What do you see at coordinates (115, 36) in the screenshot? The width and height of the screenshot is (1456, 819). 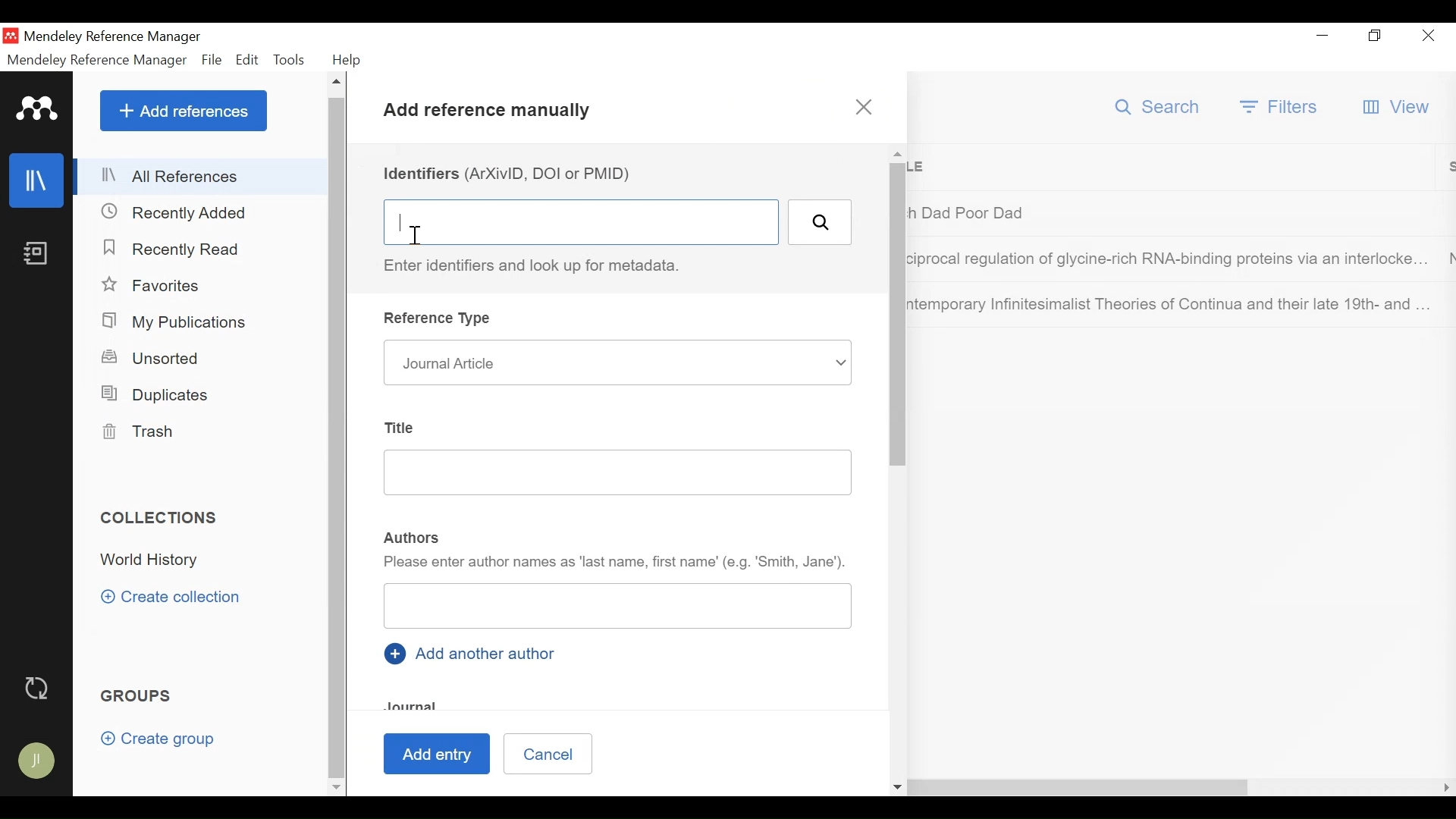 I see `Mendeley Reference Manager` at bounding box center [115, 36].